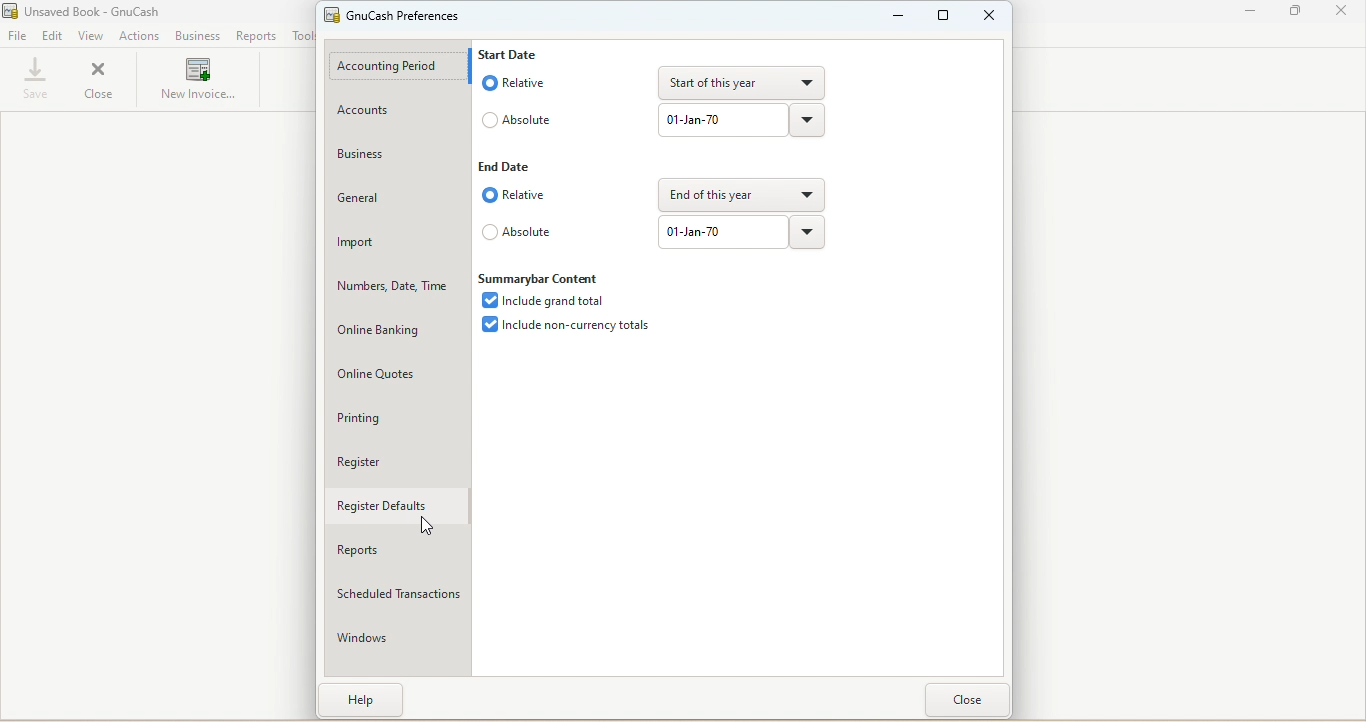 This screenshot has width=1366, height=722. I want to click on Absolute, so click(525, 118).